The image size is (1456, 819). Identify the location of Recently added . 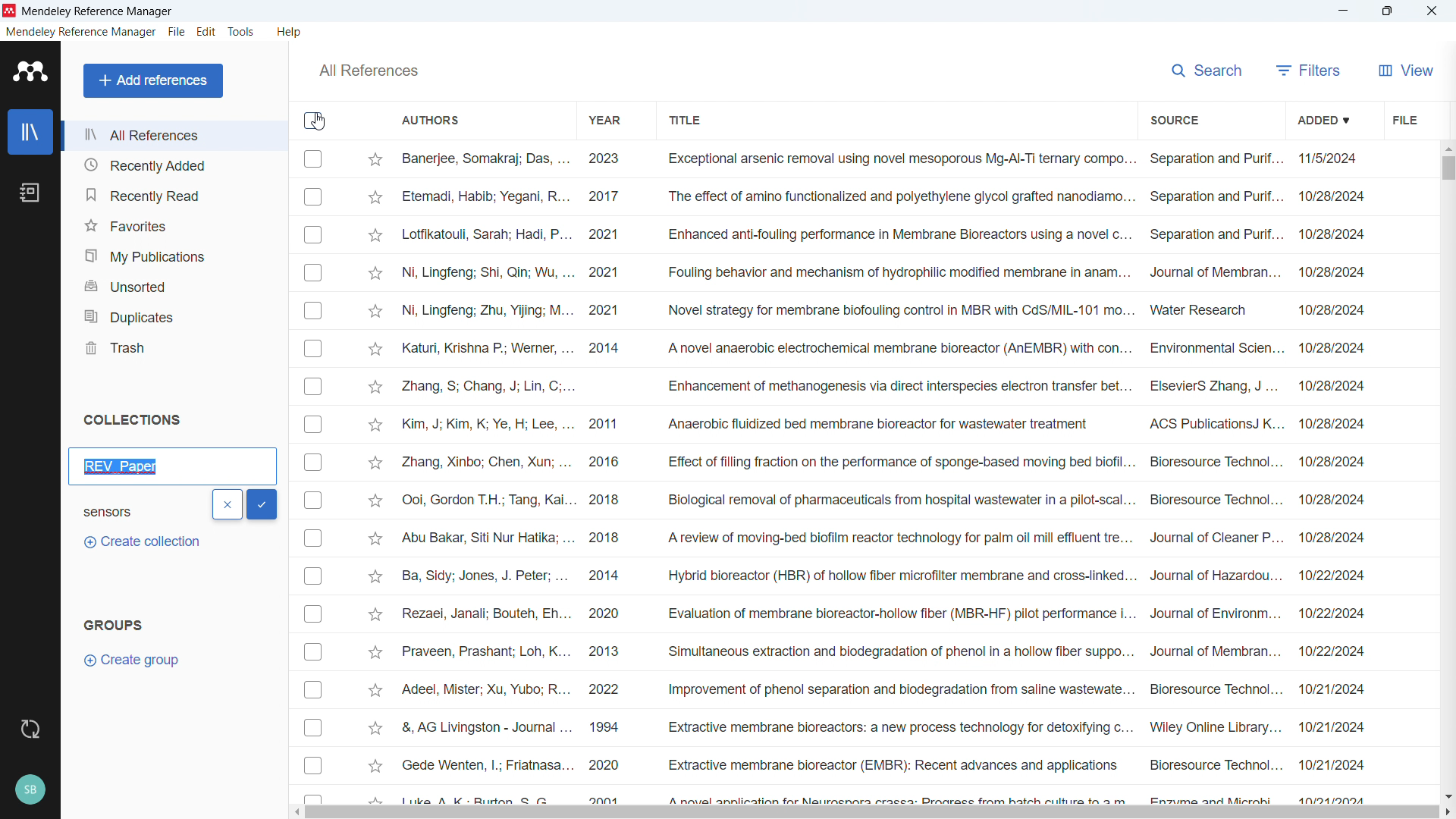
(174, 165).